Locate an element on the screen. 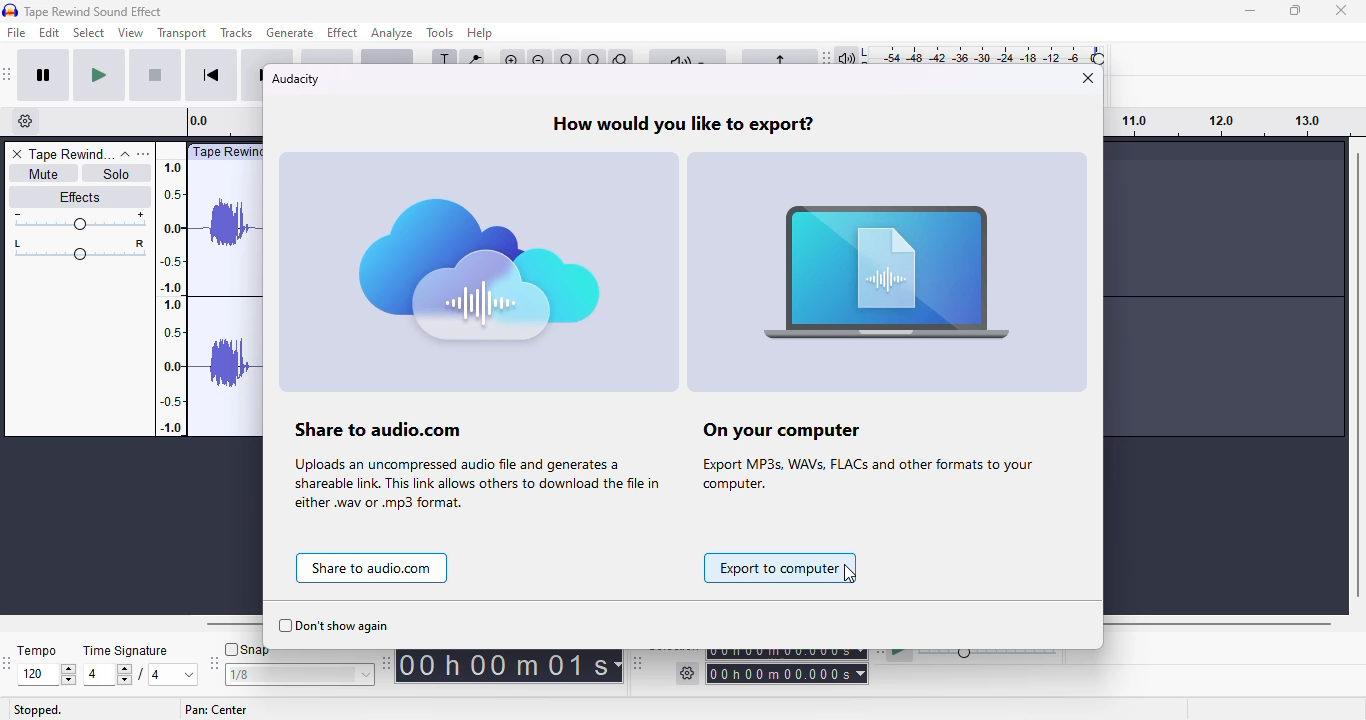 This screenshot has width=1366, height=720. stopped is located at coordinates (37, 710).